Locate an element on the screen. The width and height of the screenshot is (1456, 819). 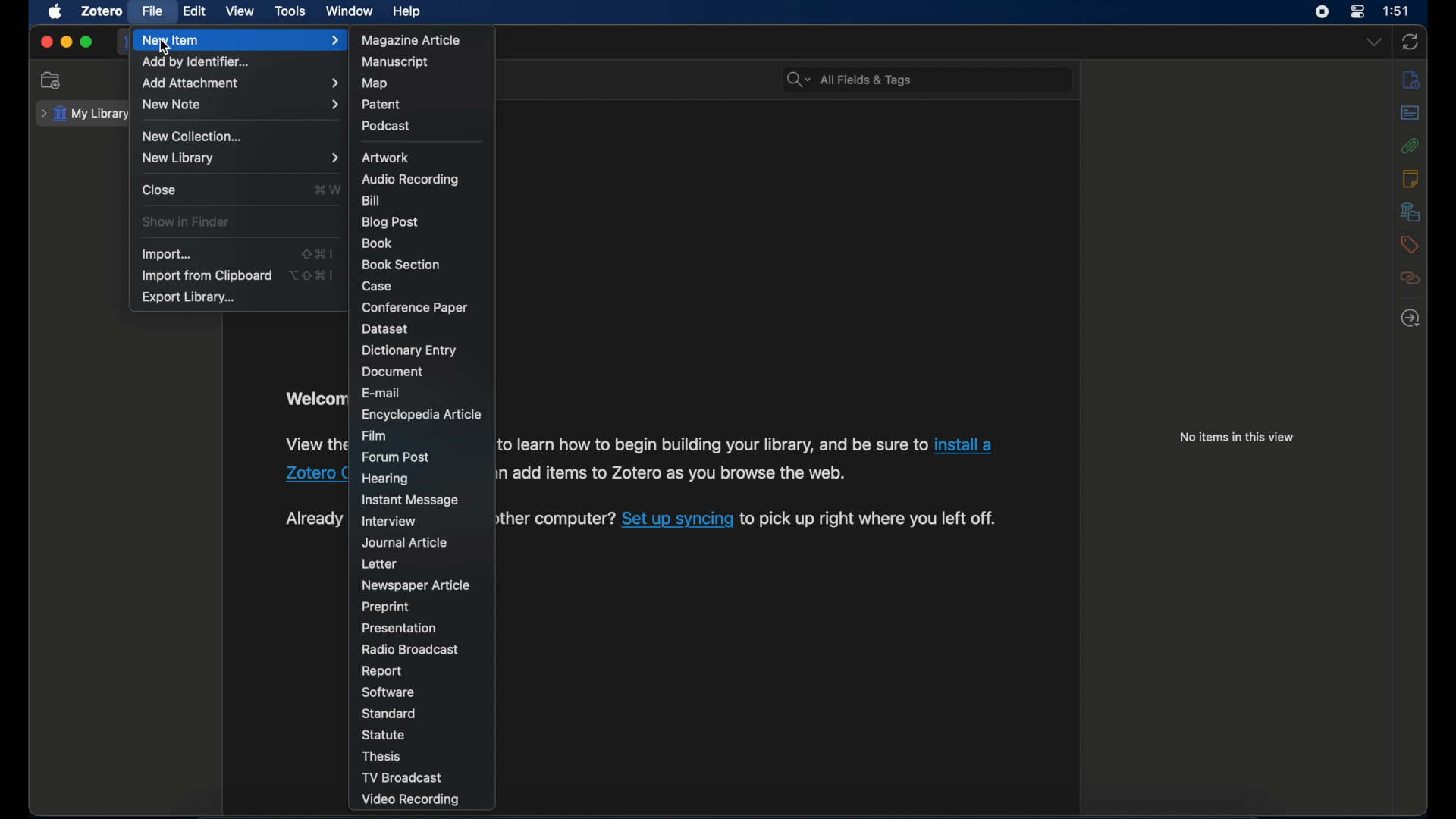
notes is located at coordinates (1411, 178).